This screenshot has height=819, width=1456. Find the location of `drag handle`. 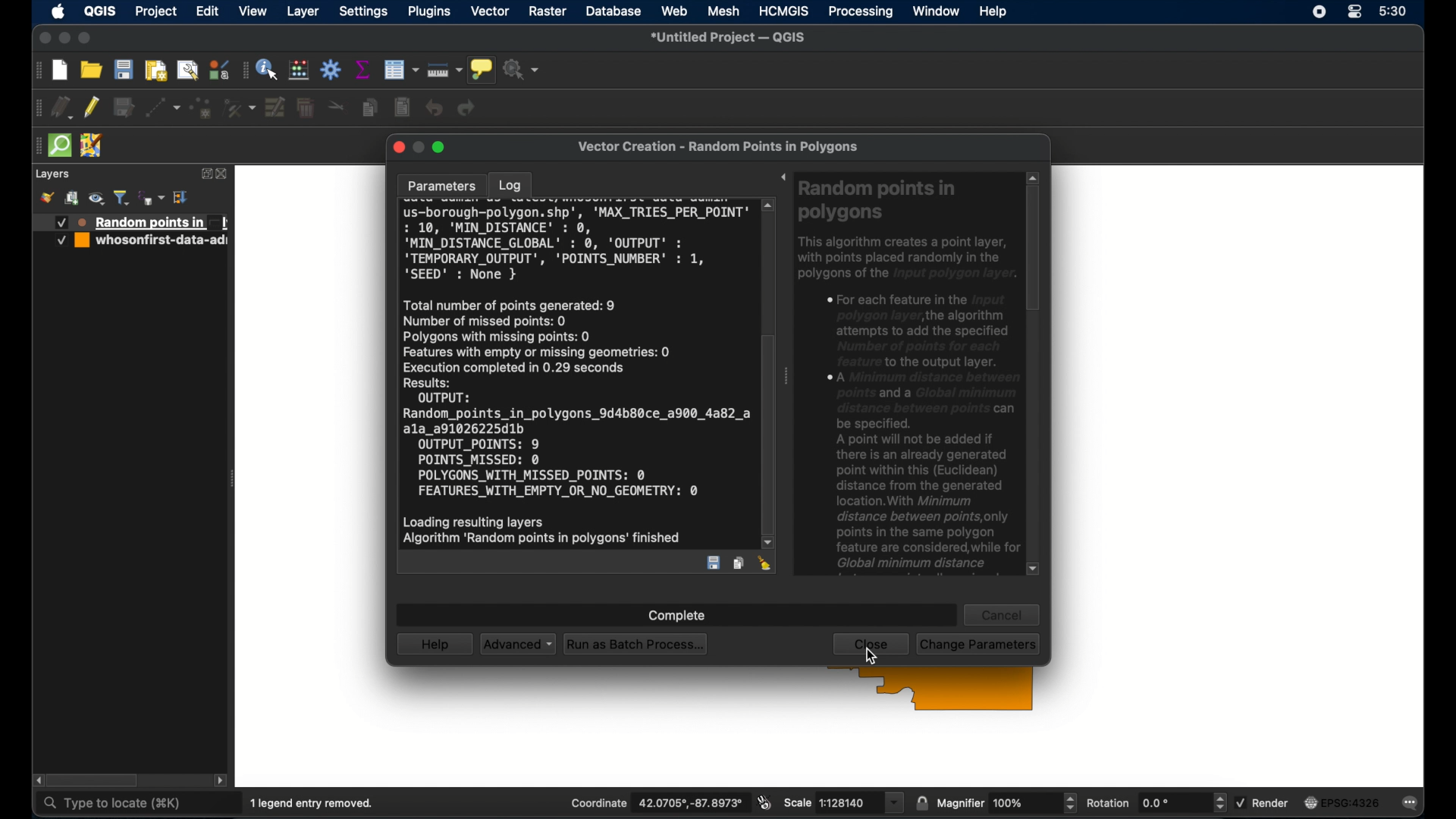

drag handle is located at coordinates (36, 146).